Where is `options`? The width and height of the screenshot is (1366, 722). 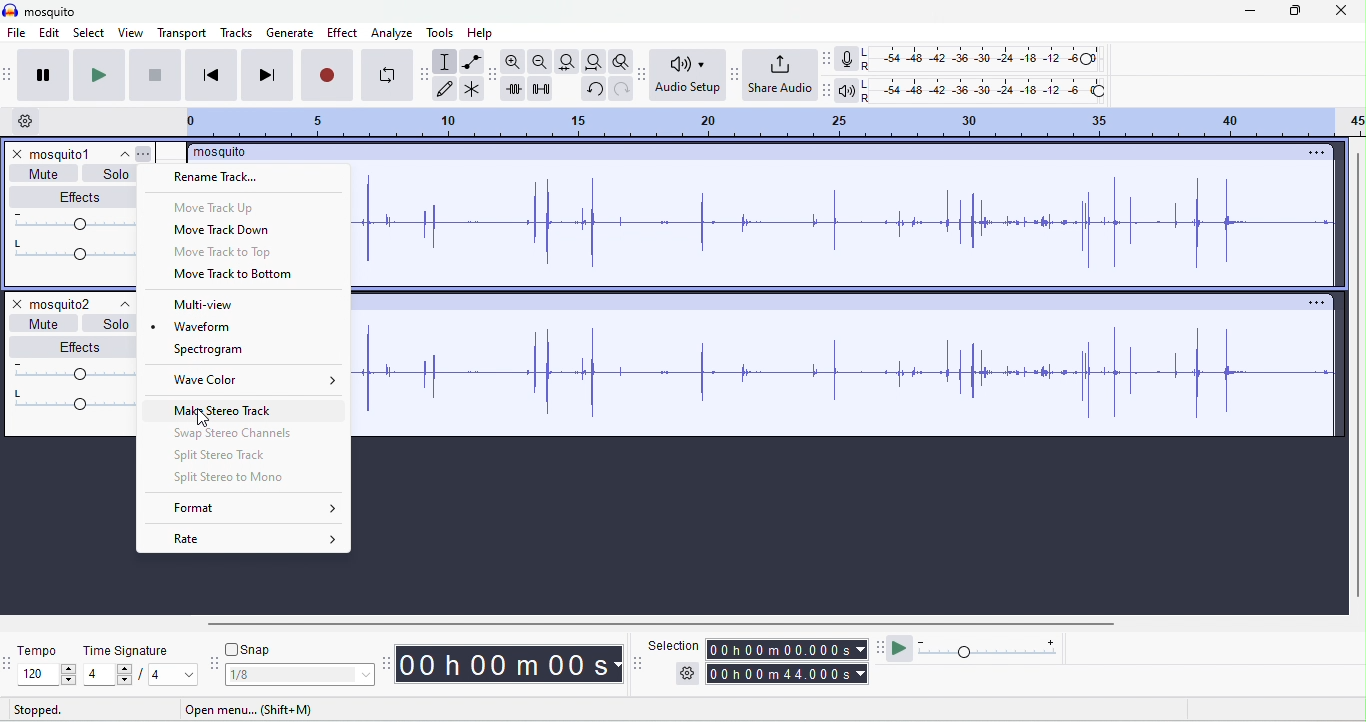 options is located at coordinates (688, 671).